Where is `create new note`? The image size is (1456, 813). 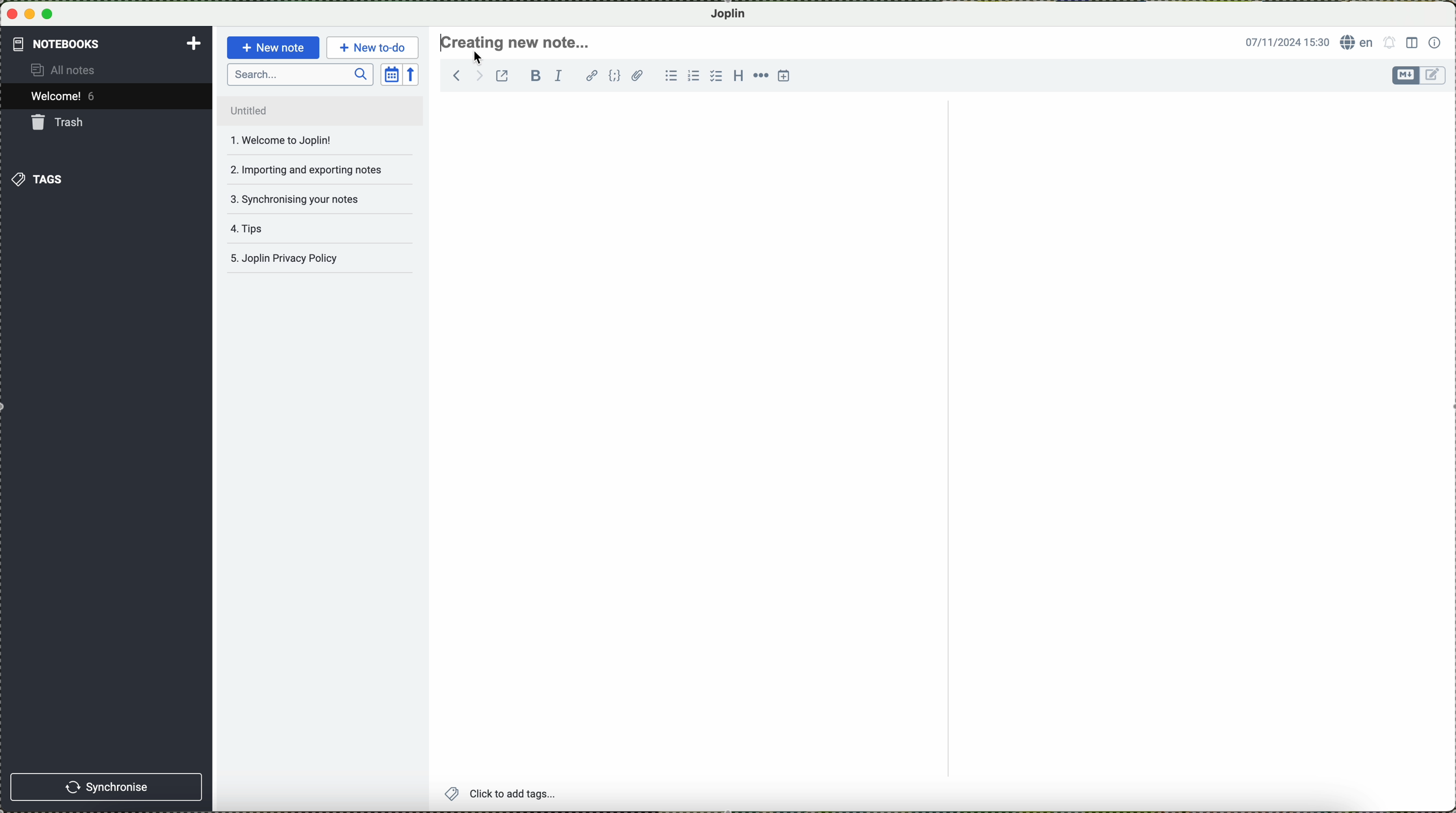
create new note is located at coordinates (516, 40).